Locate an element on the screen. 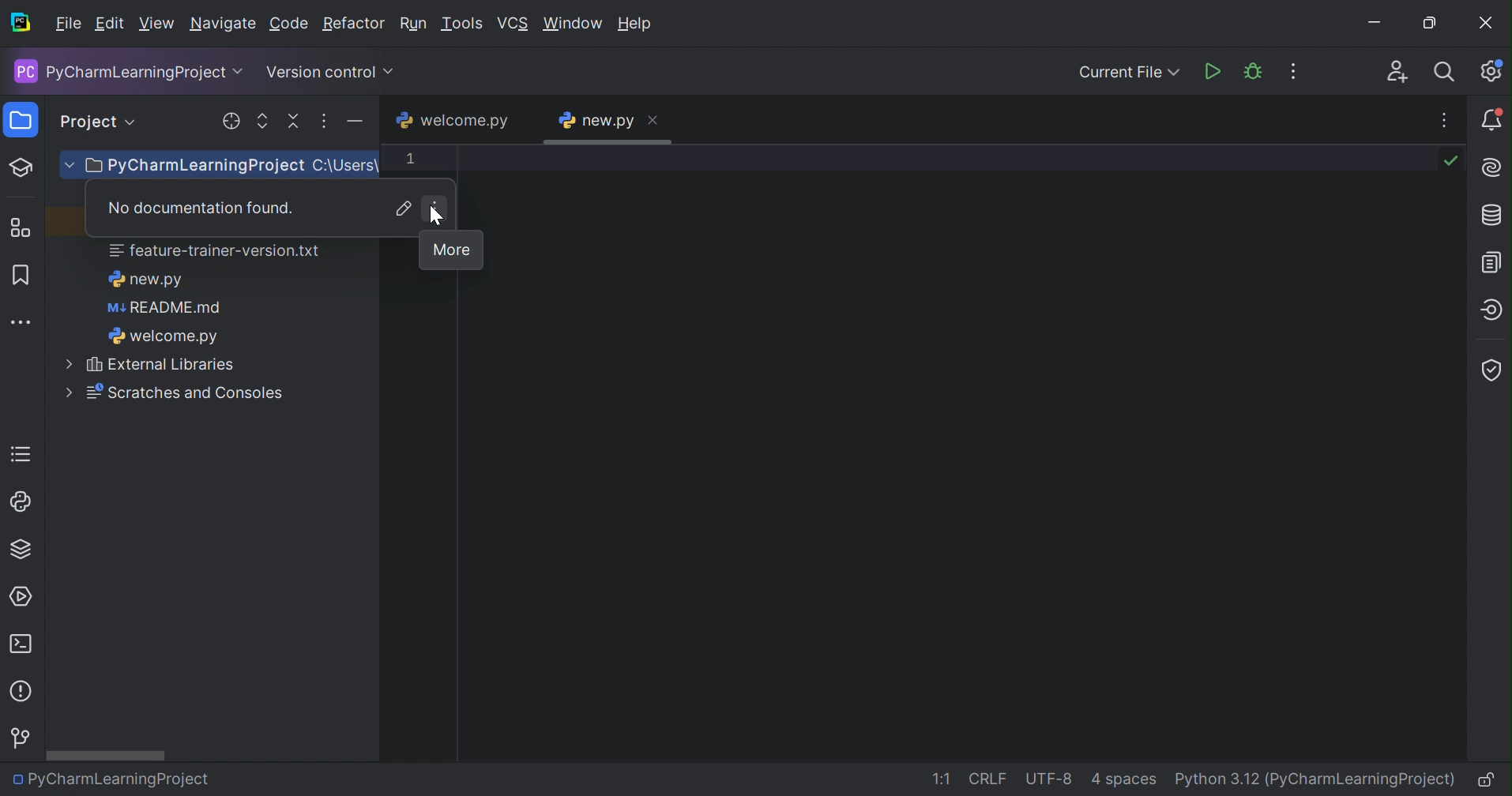 This screenshot has height=796, width=1512. Code With Me is located at coordinates (1397, 71).